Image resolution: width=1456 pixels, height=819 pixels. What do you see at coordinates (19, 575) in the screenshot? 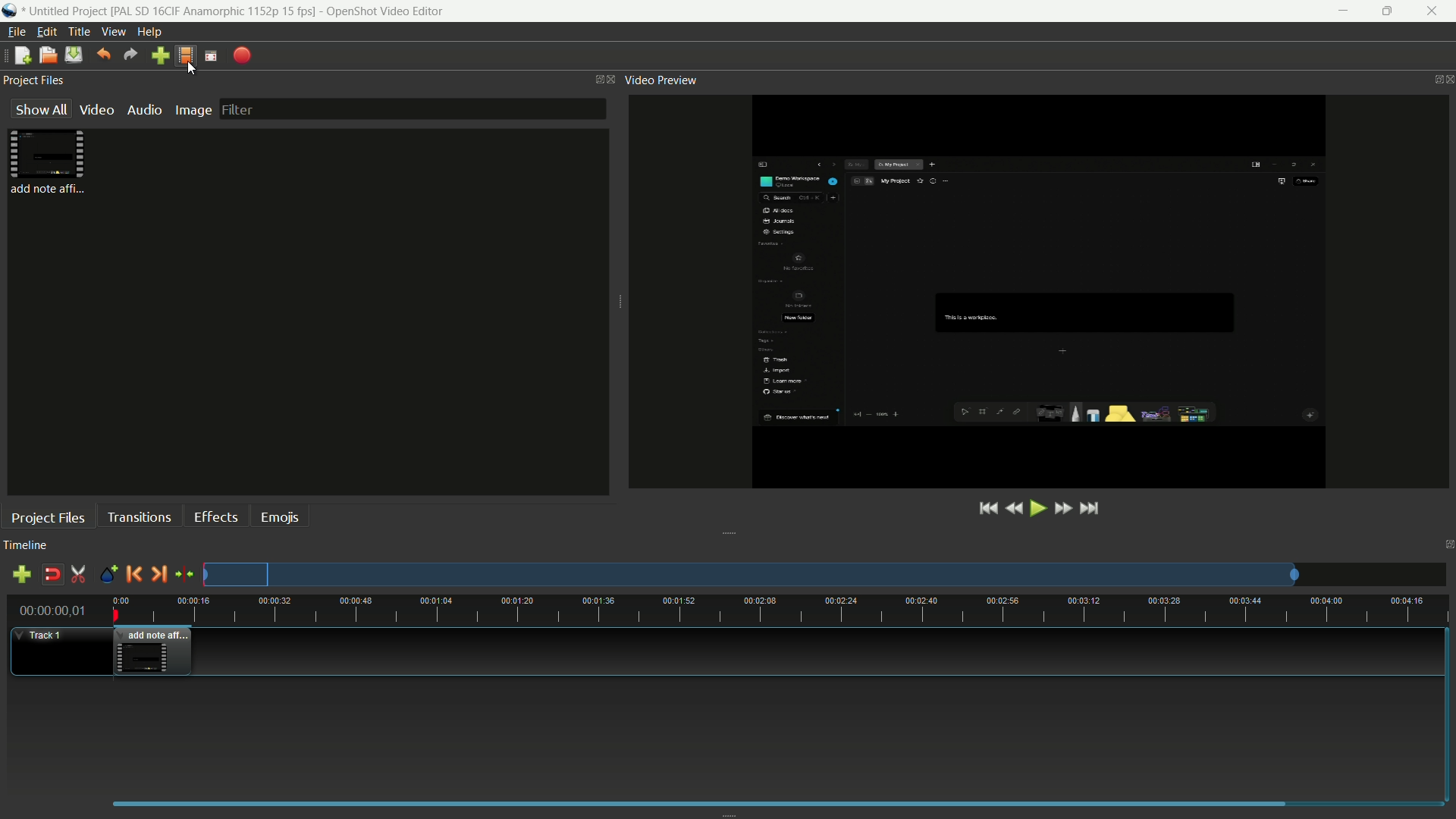
I see `add track` at bounding box center [19, 575].